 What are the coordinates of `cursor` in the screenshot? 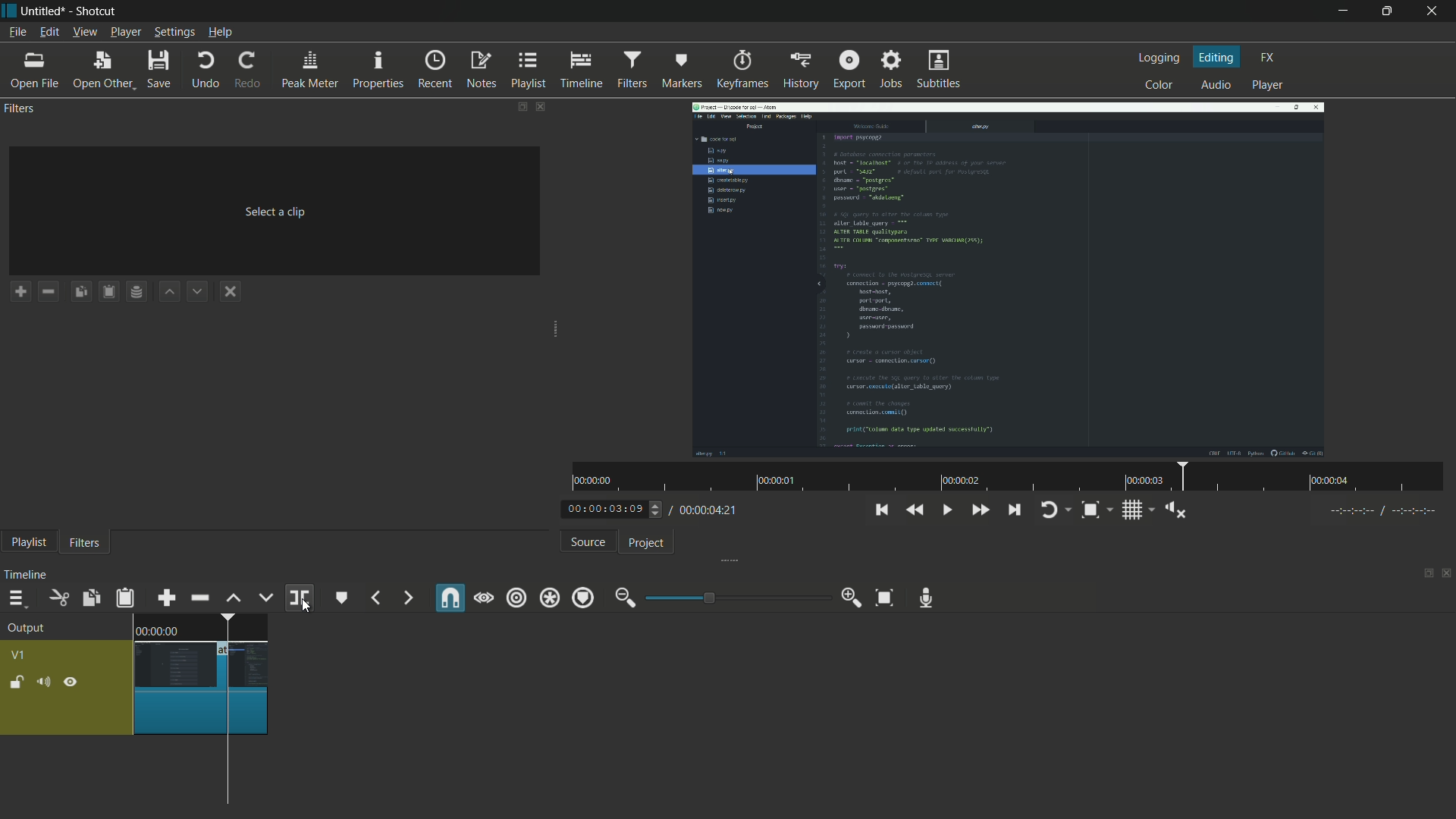 It's located at (306, 605).